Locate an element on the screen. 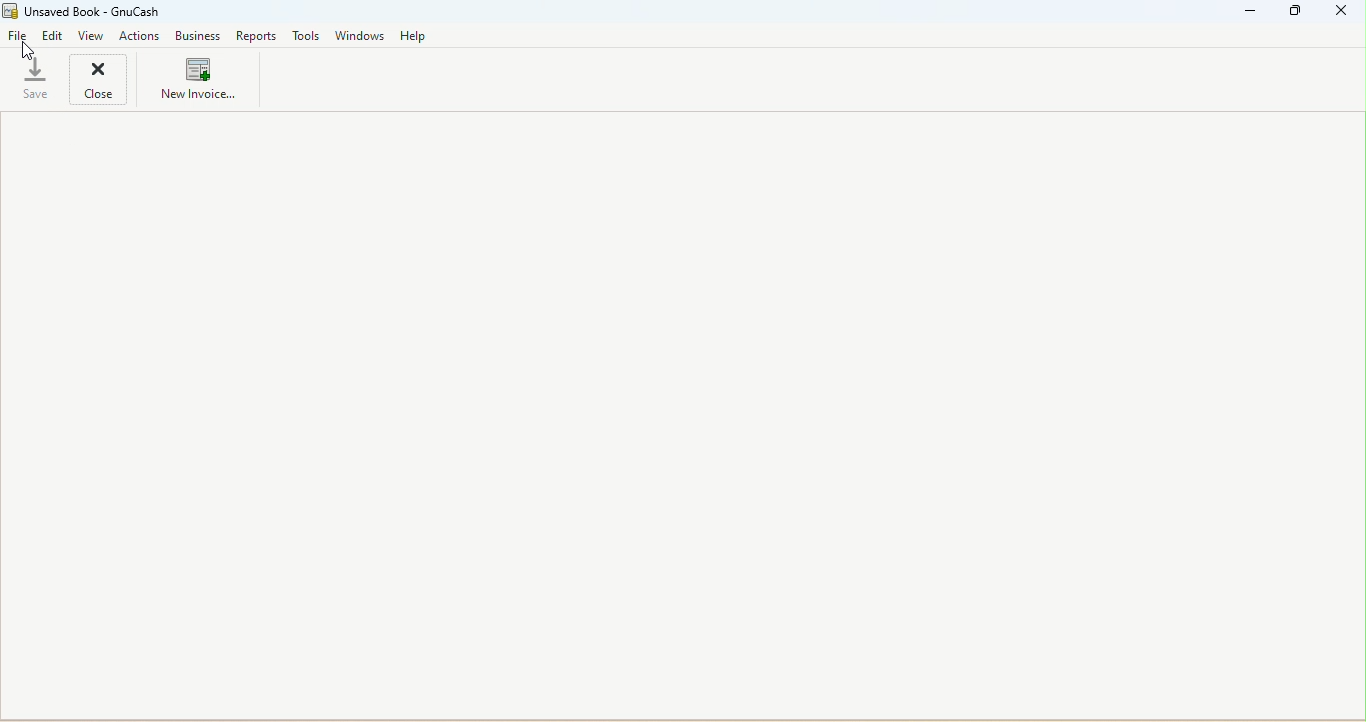 The height and width of the screenshot is (722, 1366). Save is located at coordinates (31, 78).